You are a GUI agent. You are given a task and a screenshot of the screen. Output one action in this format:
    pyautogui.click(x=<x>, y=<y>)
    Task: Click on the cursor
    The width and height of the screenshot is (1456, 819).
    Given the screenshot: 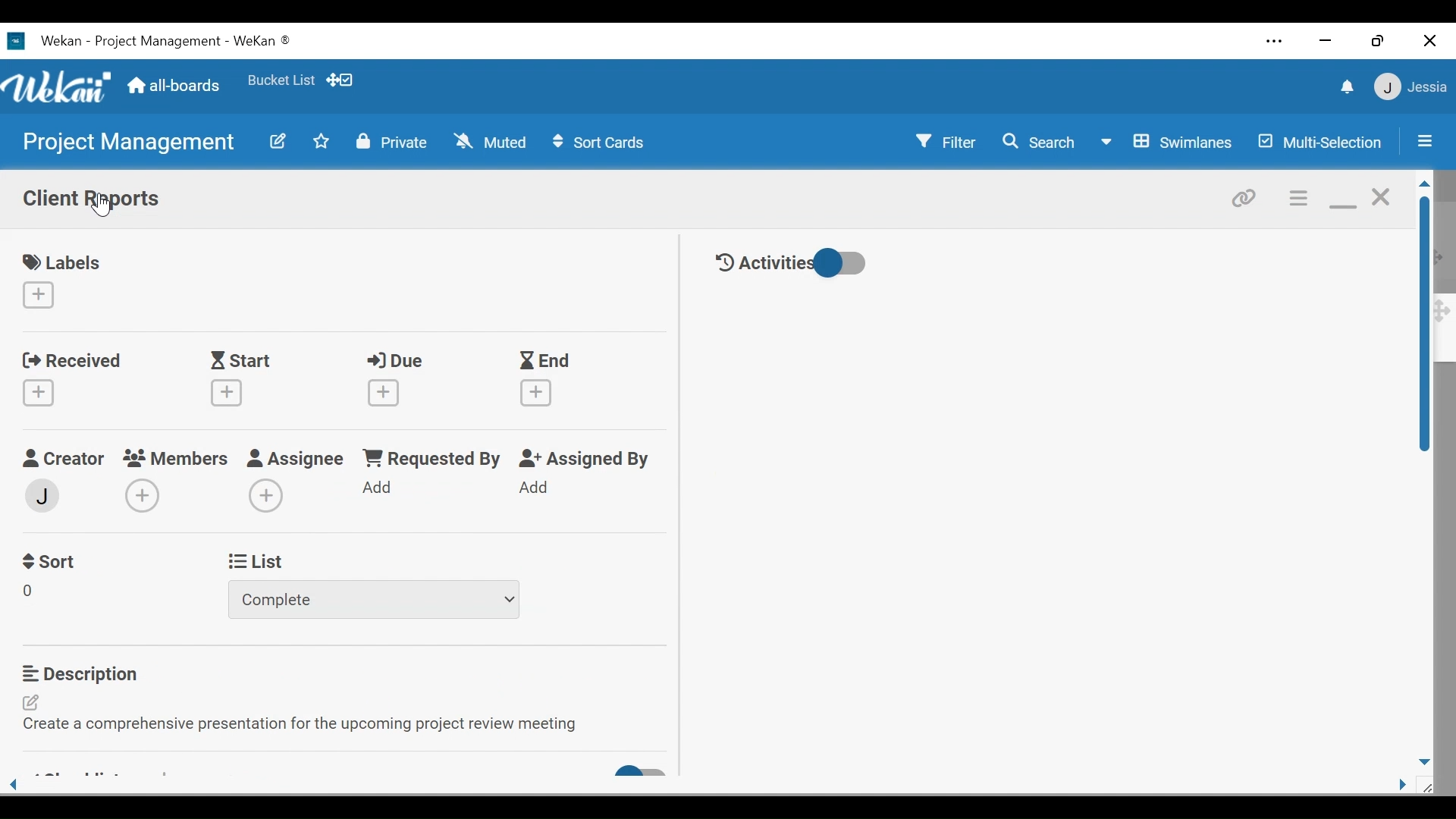 What is the action you would take?
    pyautogui.click(x=106, y=209)
    